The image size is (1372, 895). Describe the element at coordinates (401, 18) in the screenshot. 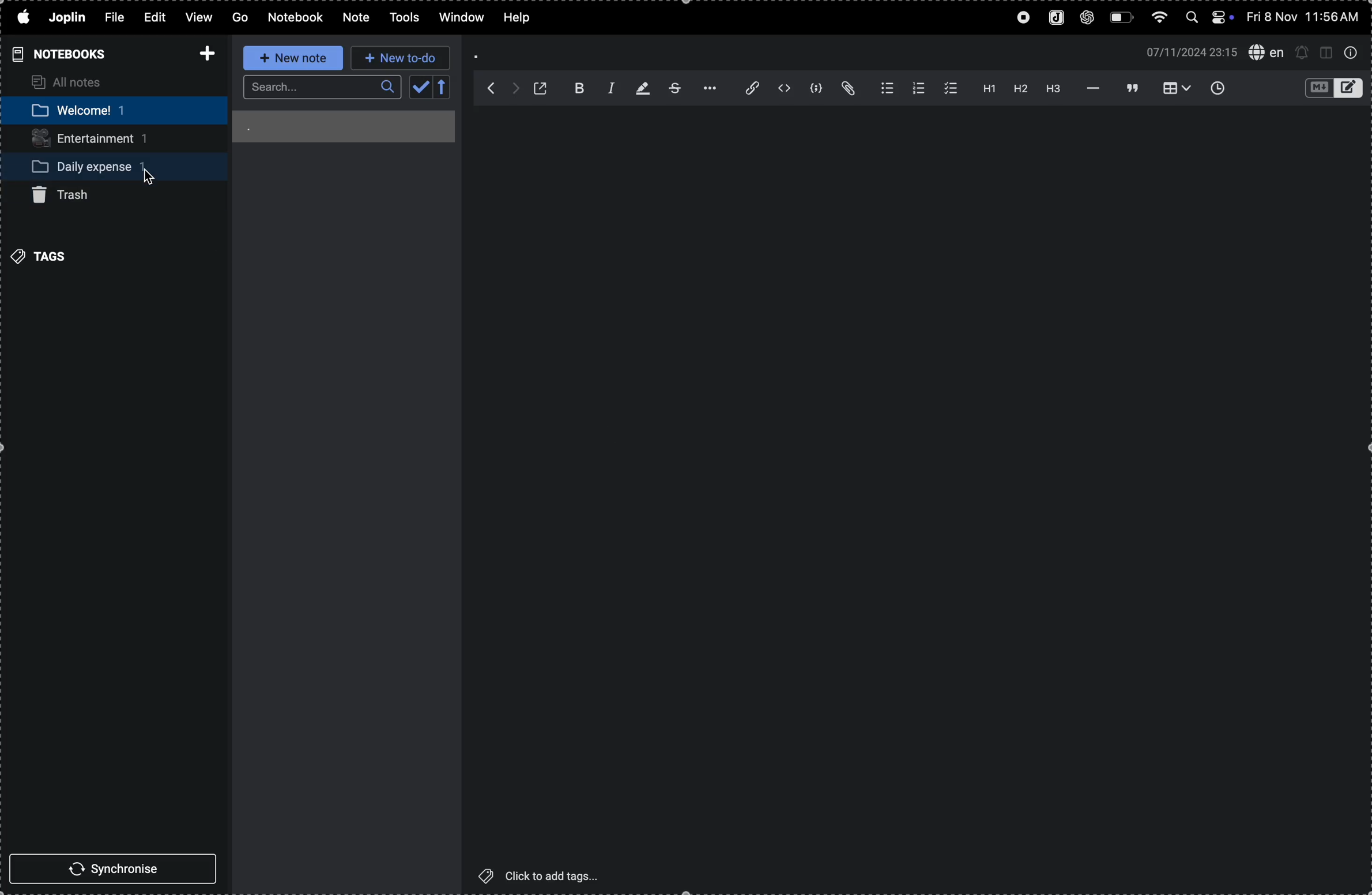

I see `tools` at that location.